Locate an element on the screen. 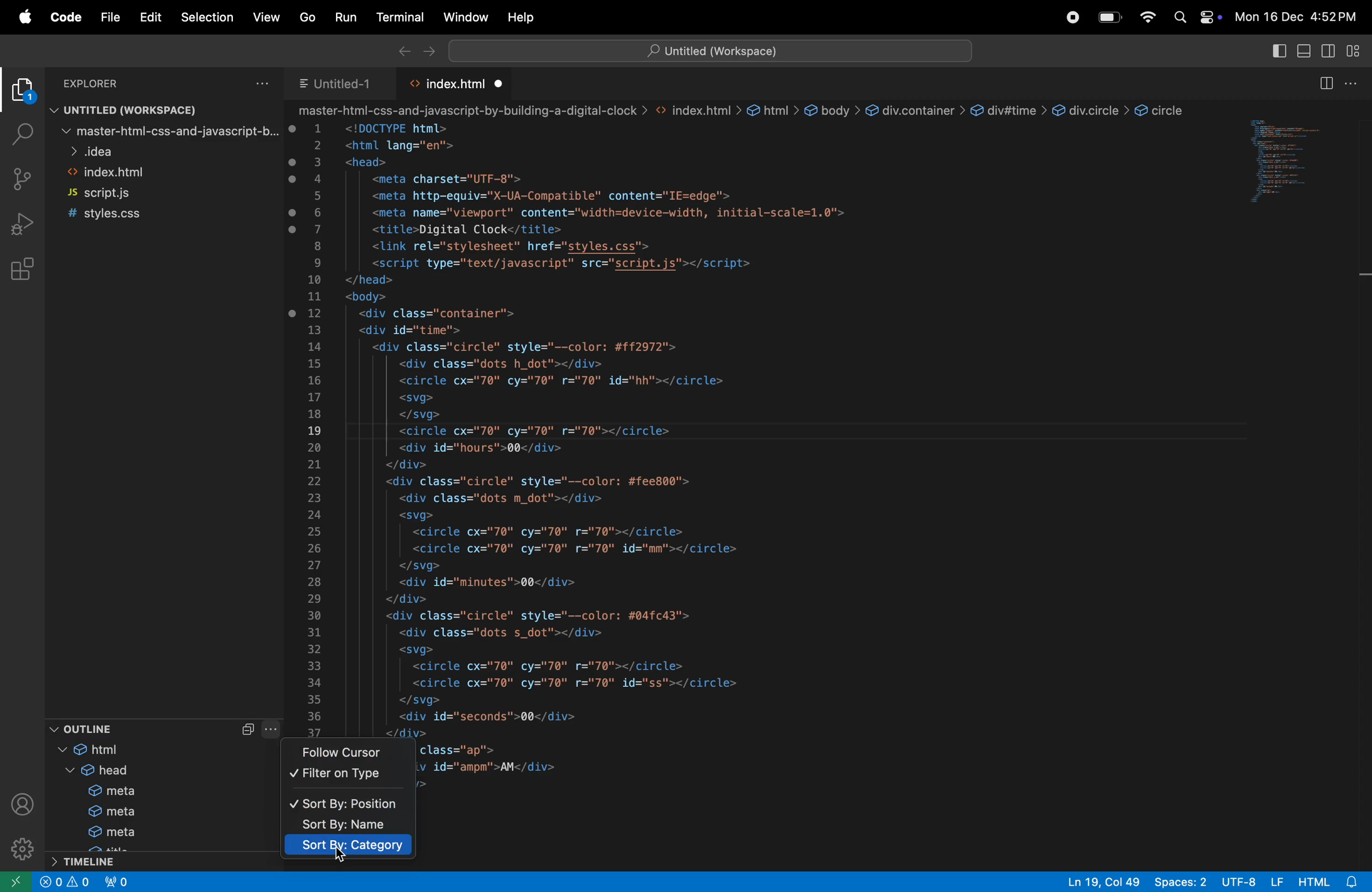 This screenshot has width=1372, height=892. Edit is located at coordinates (144, 17).